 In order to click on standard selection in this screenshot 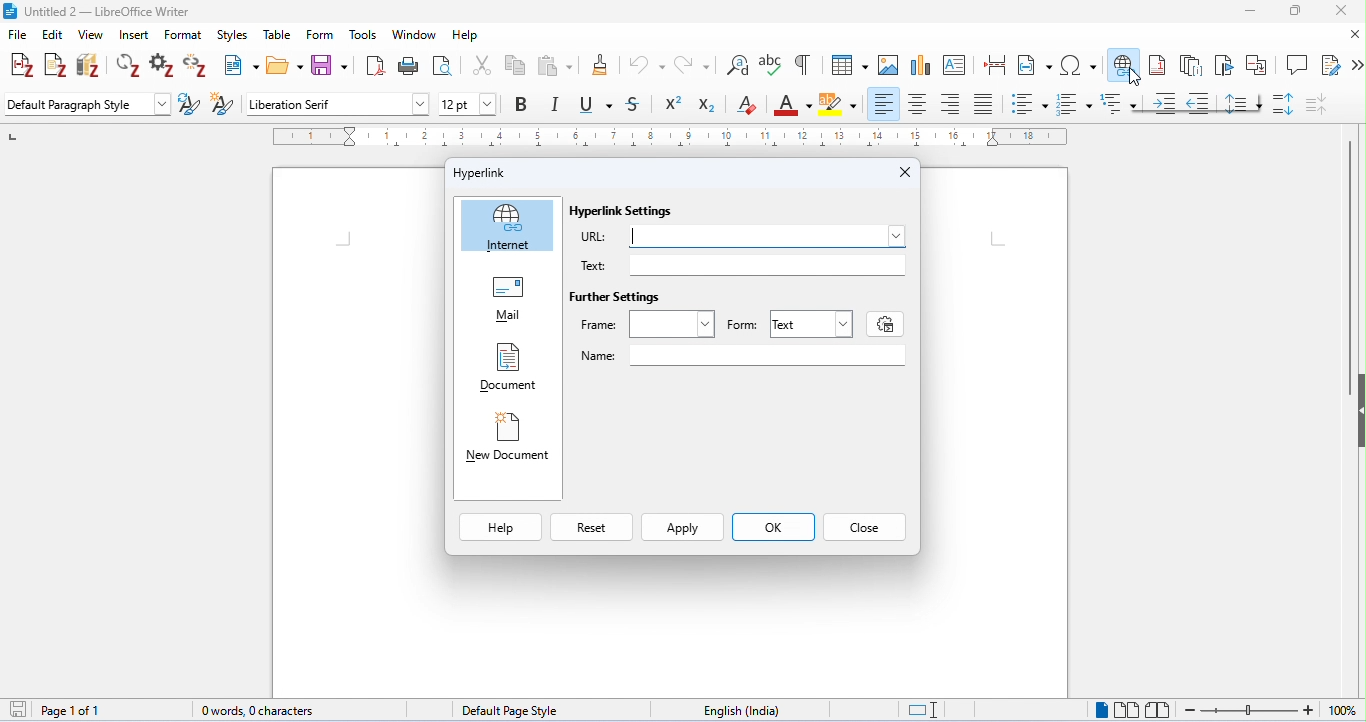, I will do `click(920, 711)`.